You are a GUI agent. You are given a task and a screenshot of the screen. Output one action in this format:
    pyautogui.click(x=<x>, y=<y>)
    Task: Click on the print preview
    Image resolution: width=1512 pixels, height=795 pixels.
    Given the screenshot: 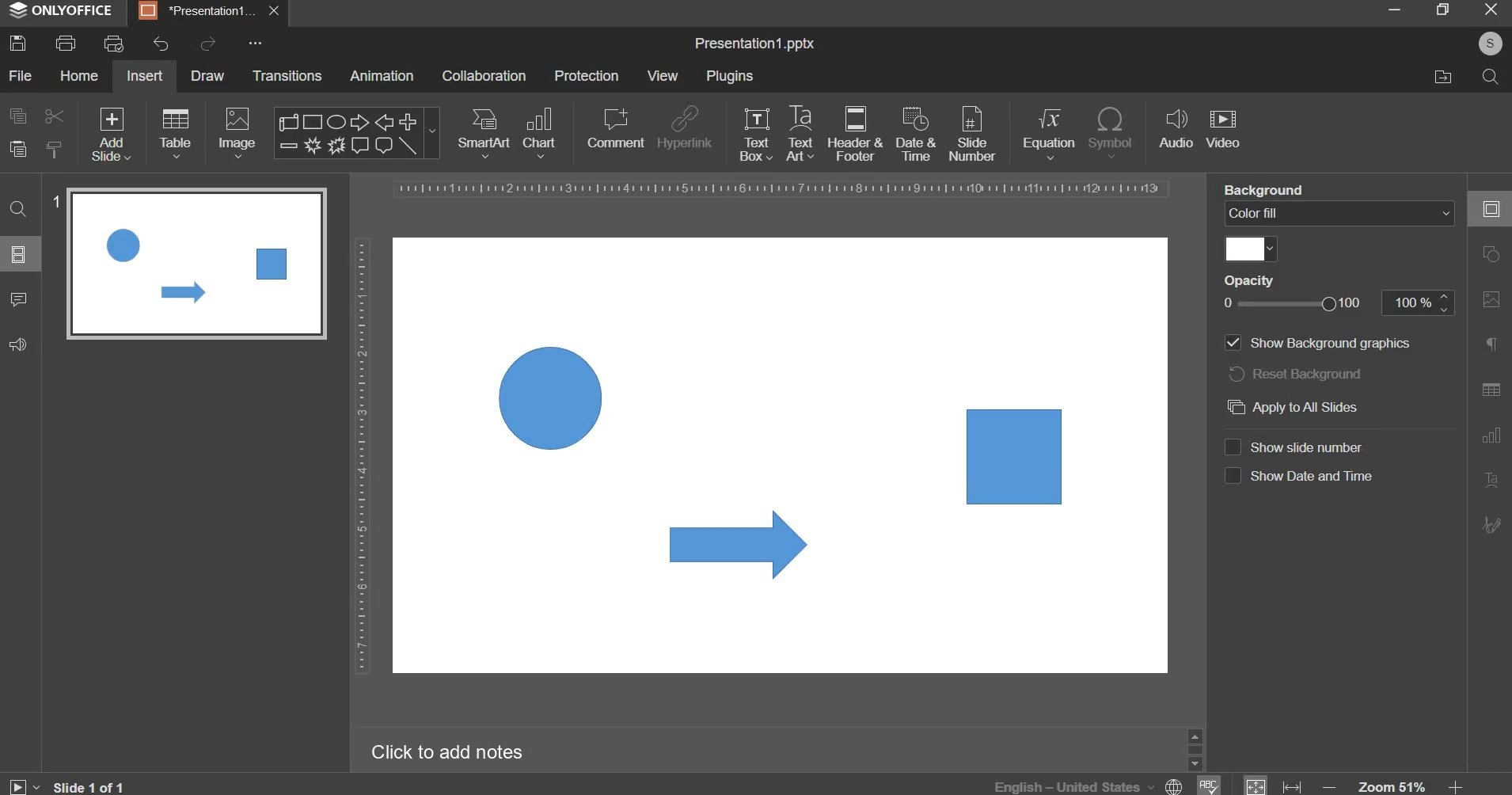 What is the action you would take?
    pyautogui.click(x=113, y=44)
    